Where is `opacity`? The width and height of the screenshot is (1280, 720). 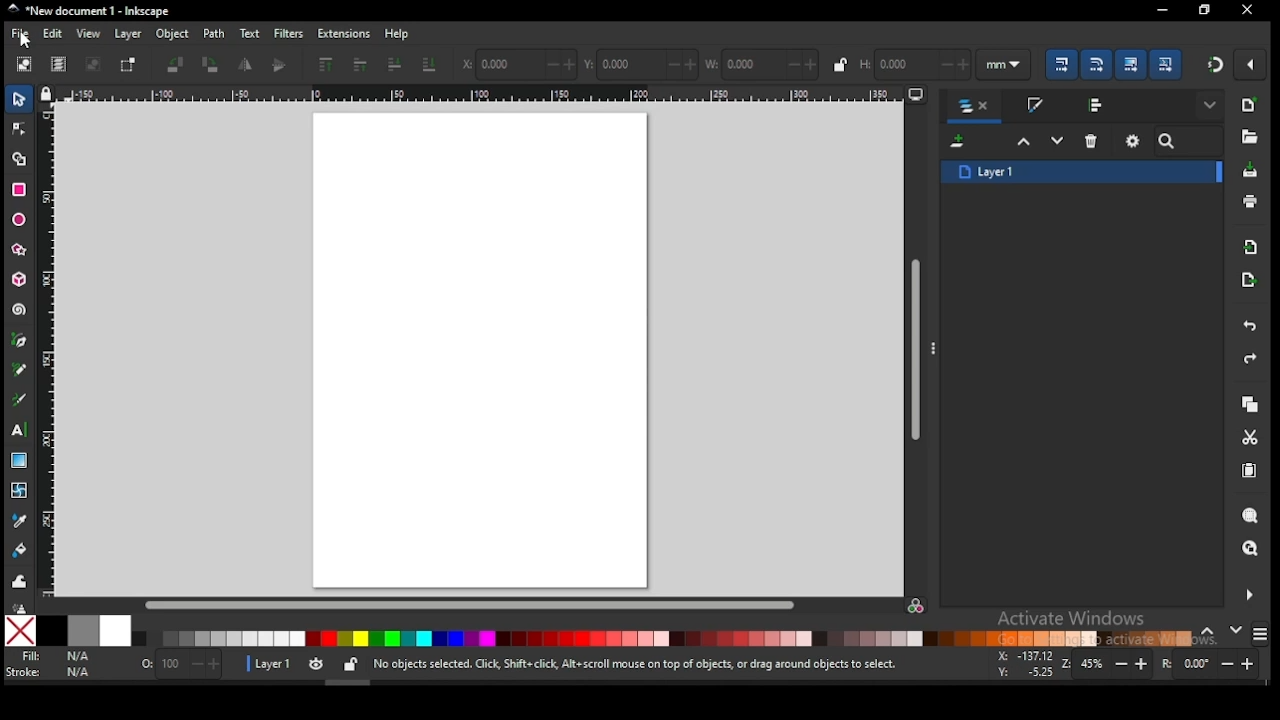 opacity is located at coordinates (179, 667).